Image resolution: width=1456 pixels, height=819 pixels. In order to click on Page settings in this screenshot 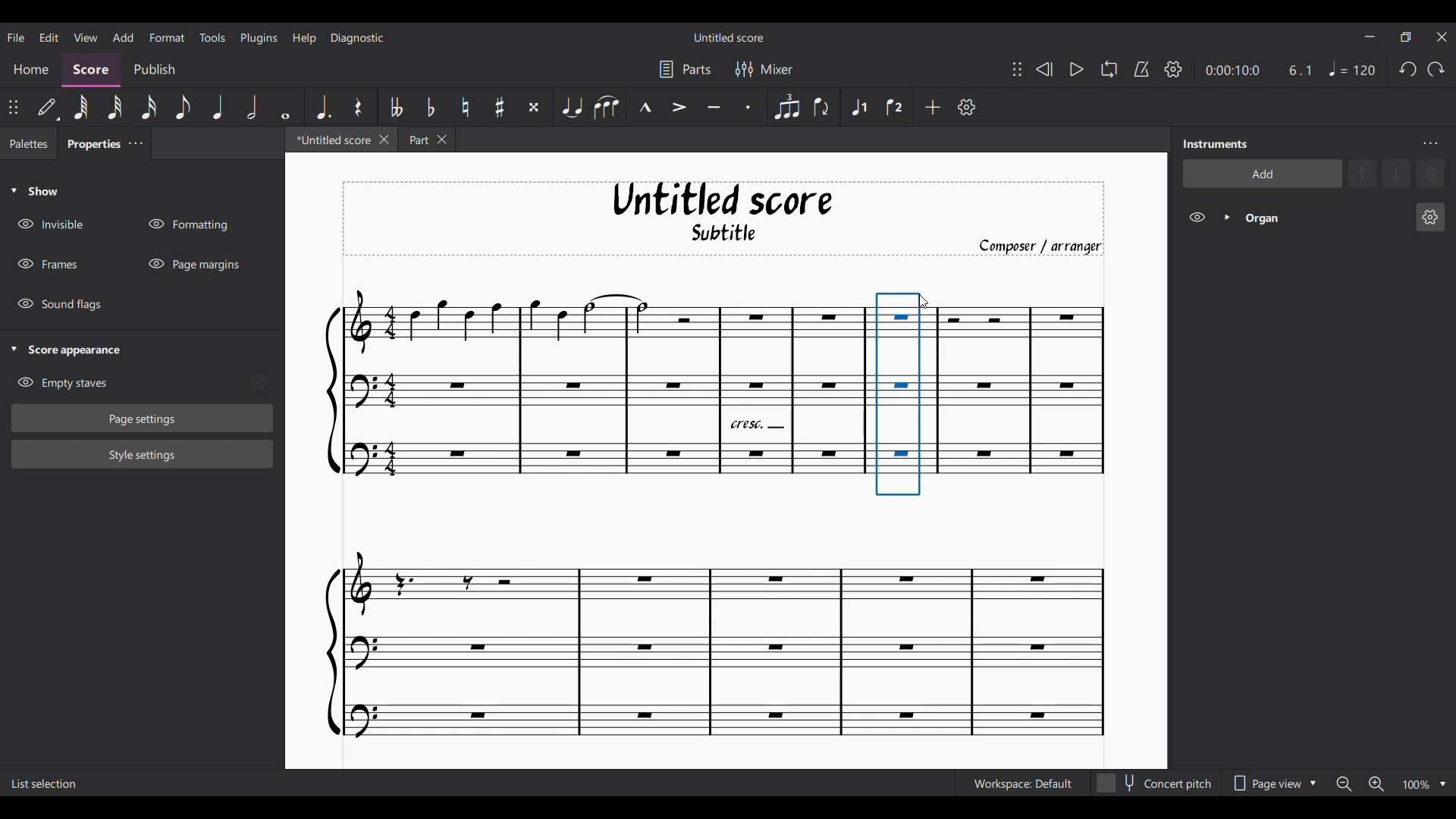, I will do `click(143, 419)`.